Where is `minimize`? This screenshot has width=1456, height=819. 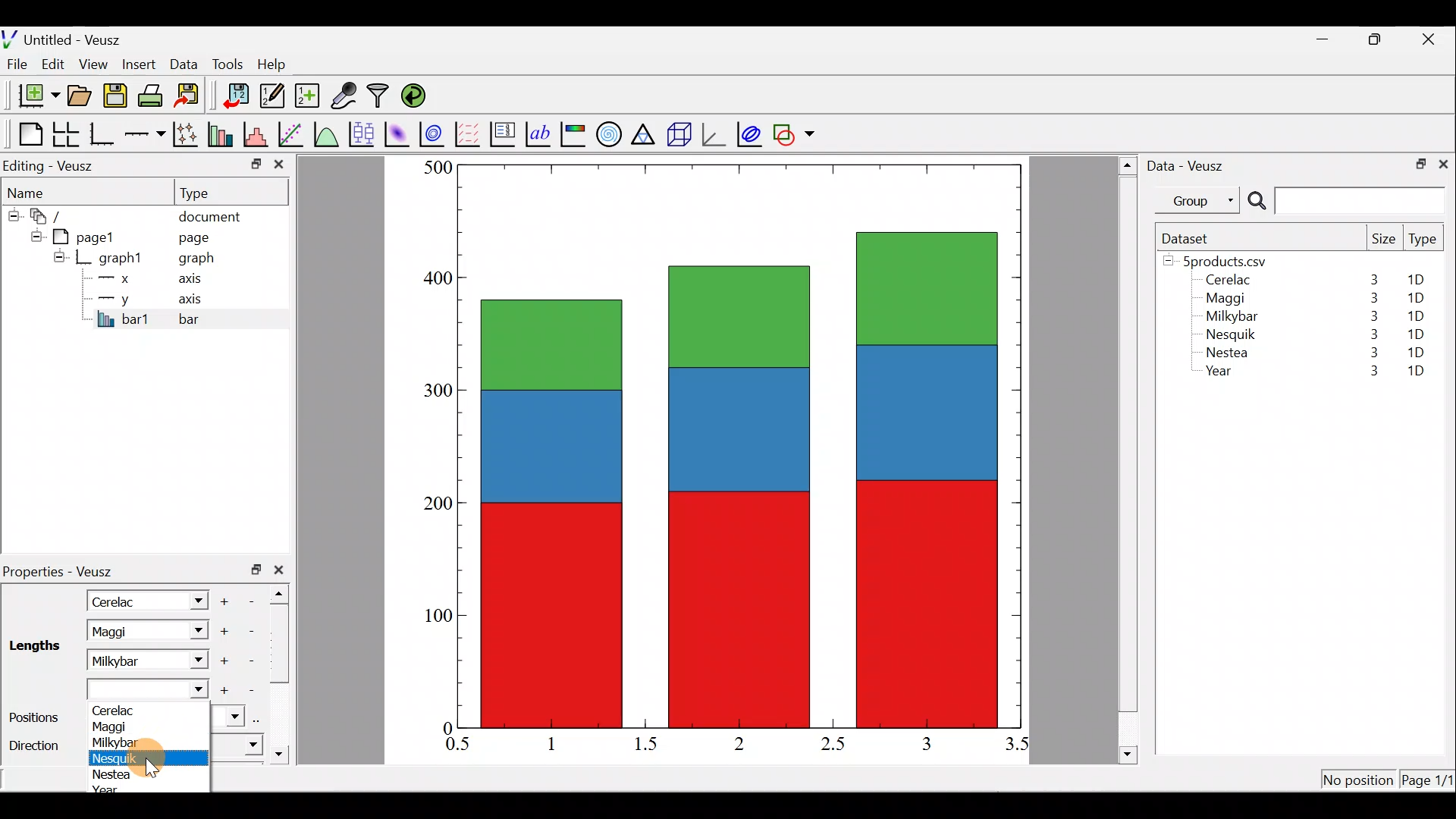
minimize is located at coordinates (255, 163).